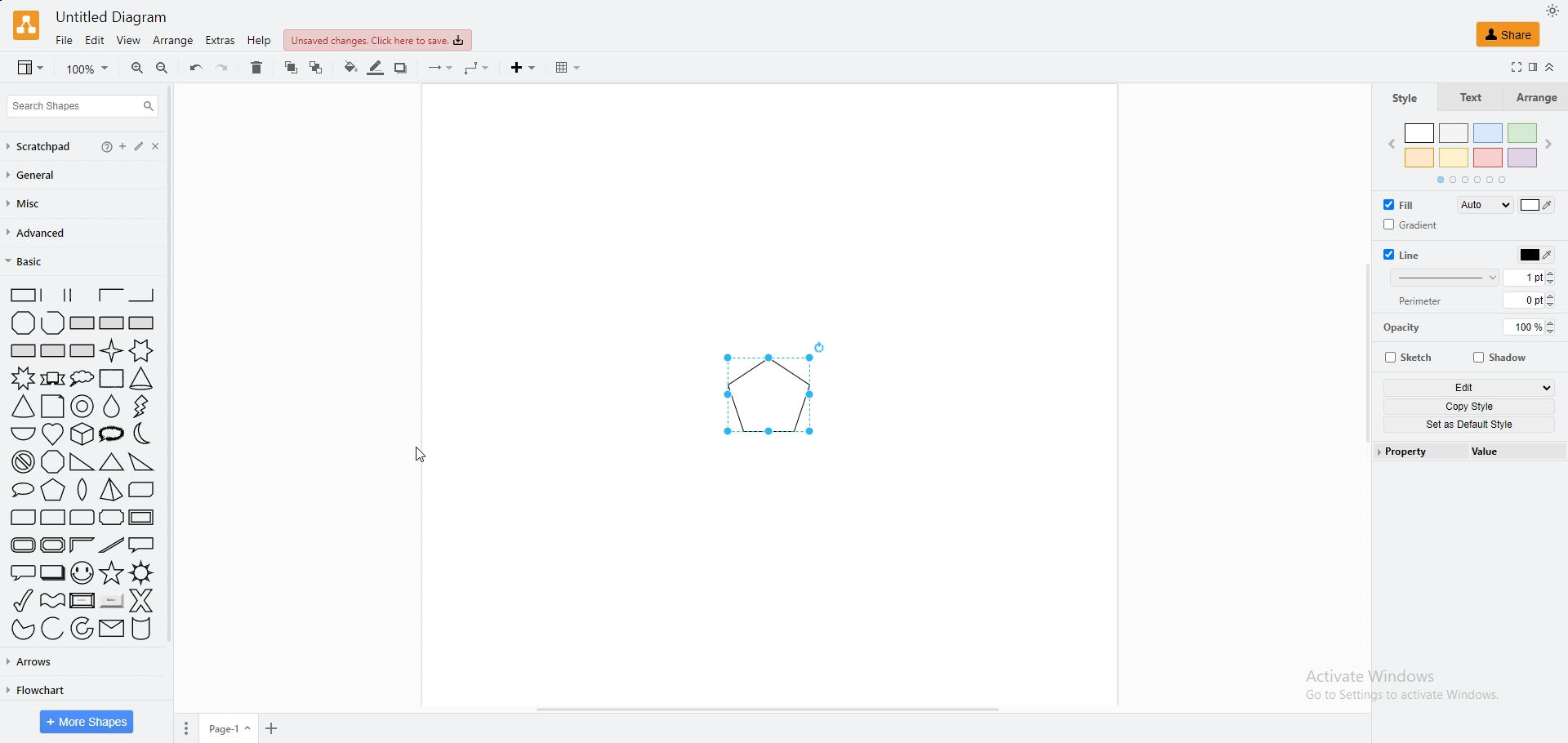  What do you see at coordinates (111, 323) in the screenshot?
I see `rectangle with reverse diagonal fill` at bounding box center [111, 323].